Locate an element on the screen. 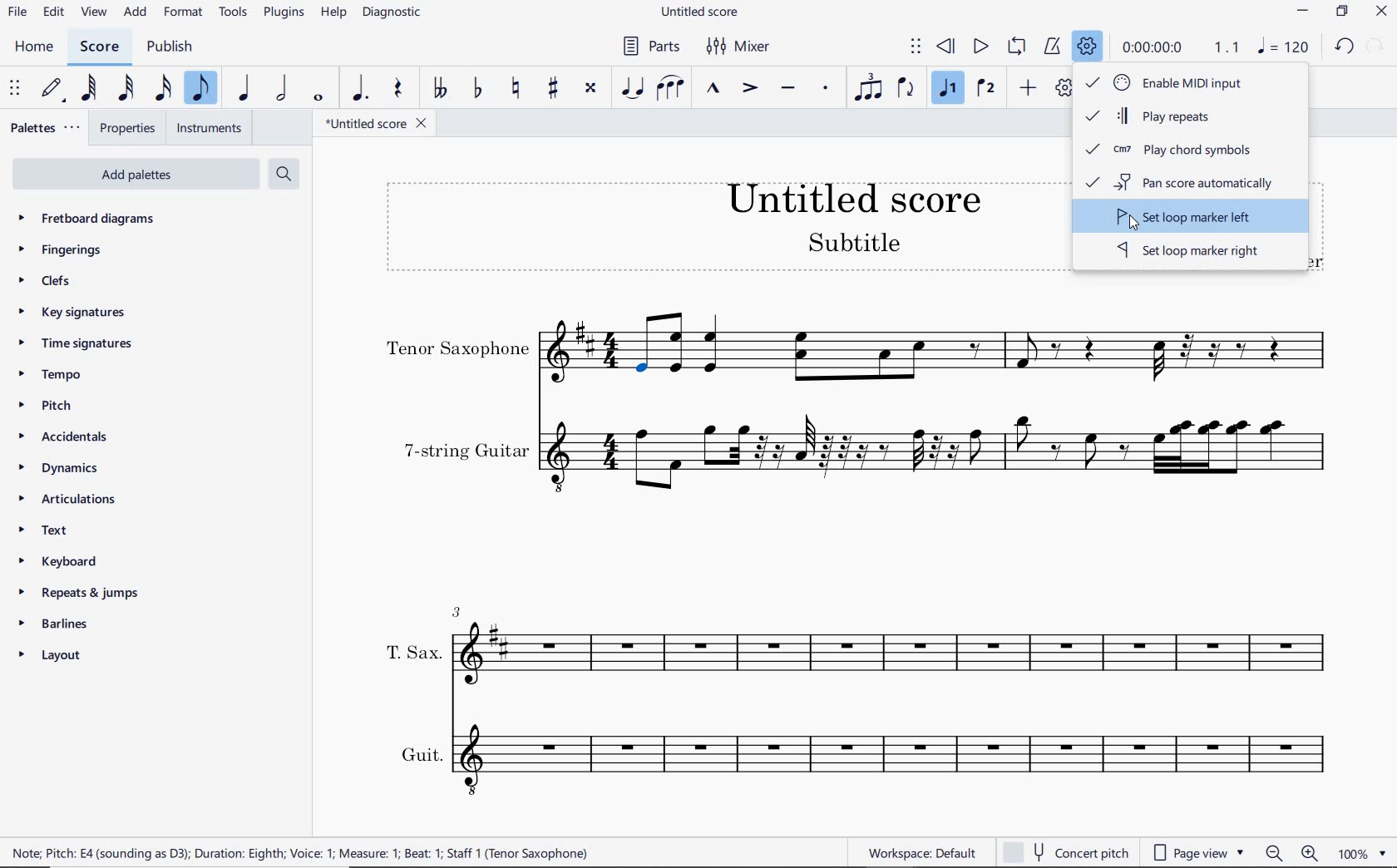 This screenshot has height=868, width=1397. INSTRUMENT: T.SAX is located at coordinates (855, 639).